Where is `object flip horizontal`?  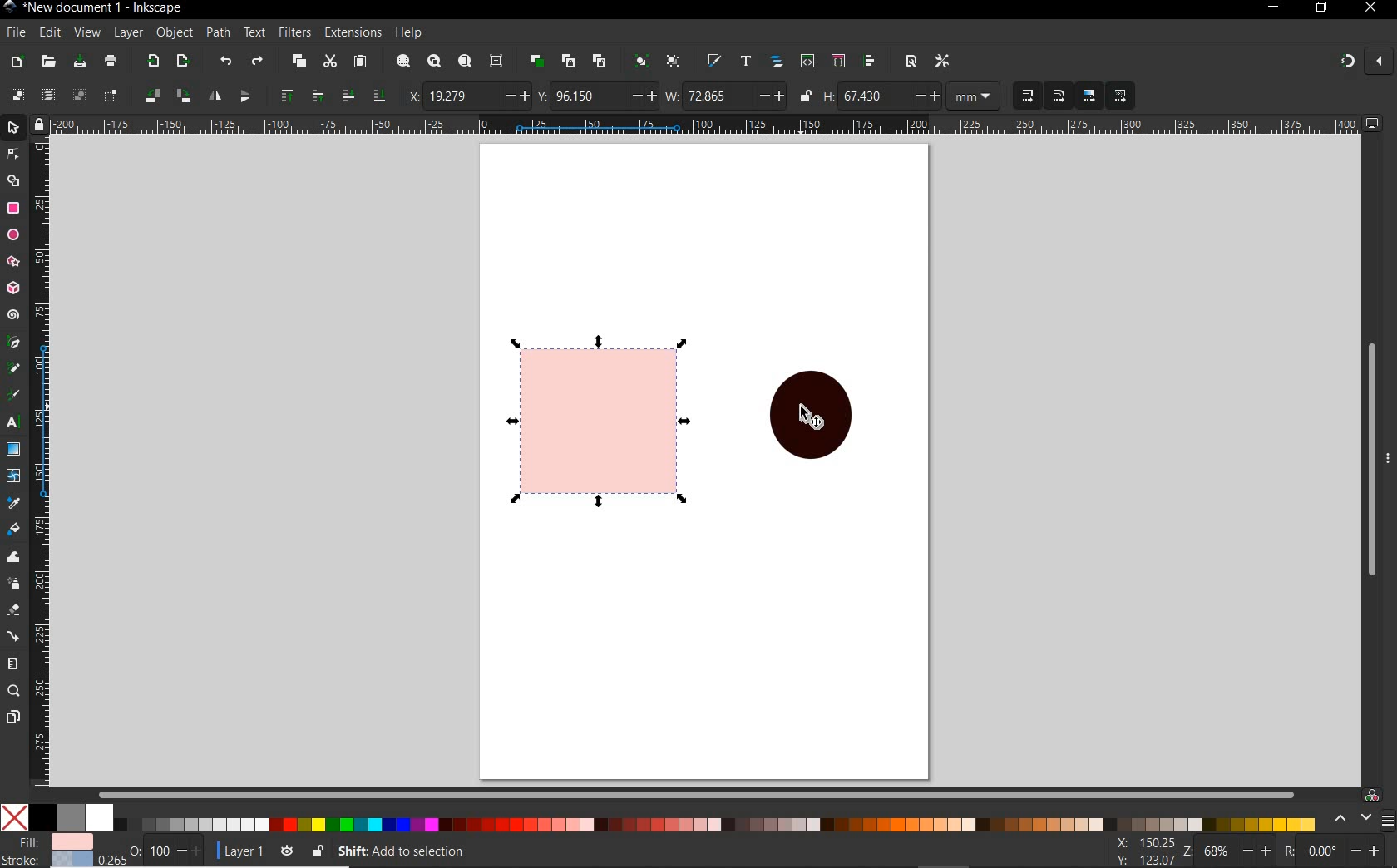 object flip horizontal is located at coordinates (215, 96).